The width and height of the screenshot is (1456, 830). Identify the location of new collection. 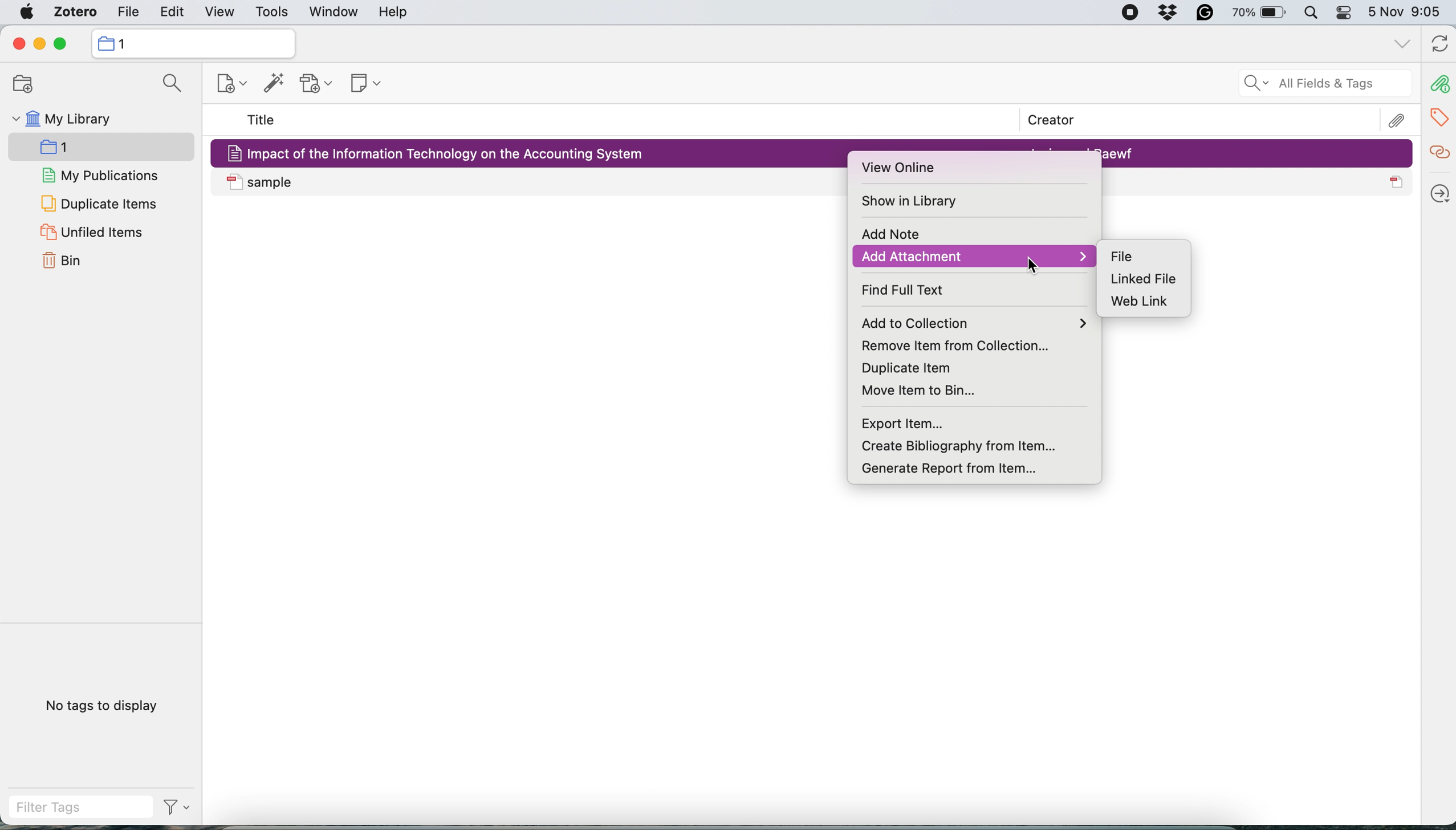
(192, 43).